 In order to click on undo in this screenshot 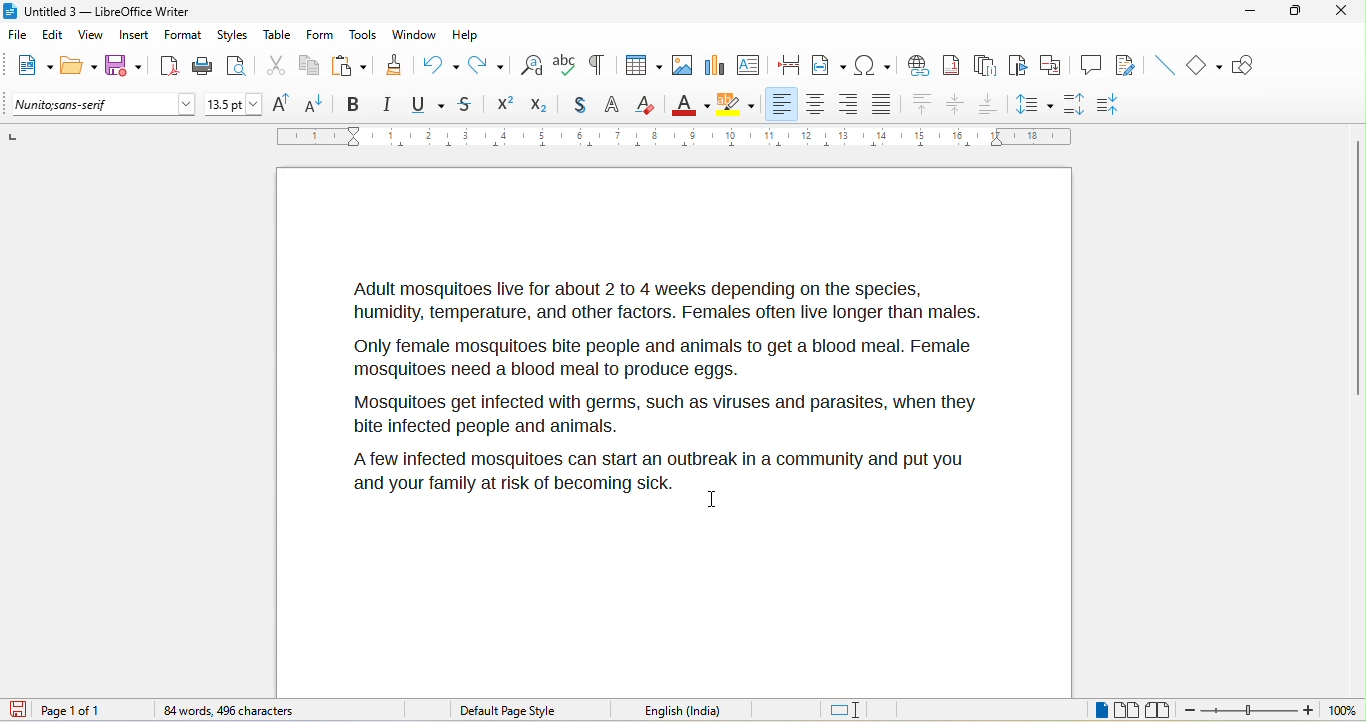, I will do `click(440, 62)`.